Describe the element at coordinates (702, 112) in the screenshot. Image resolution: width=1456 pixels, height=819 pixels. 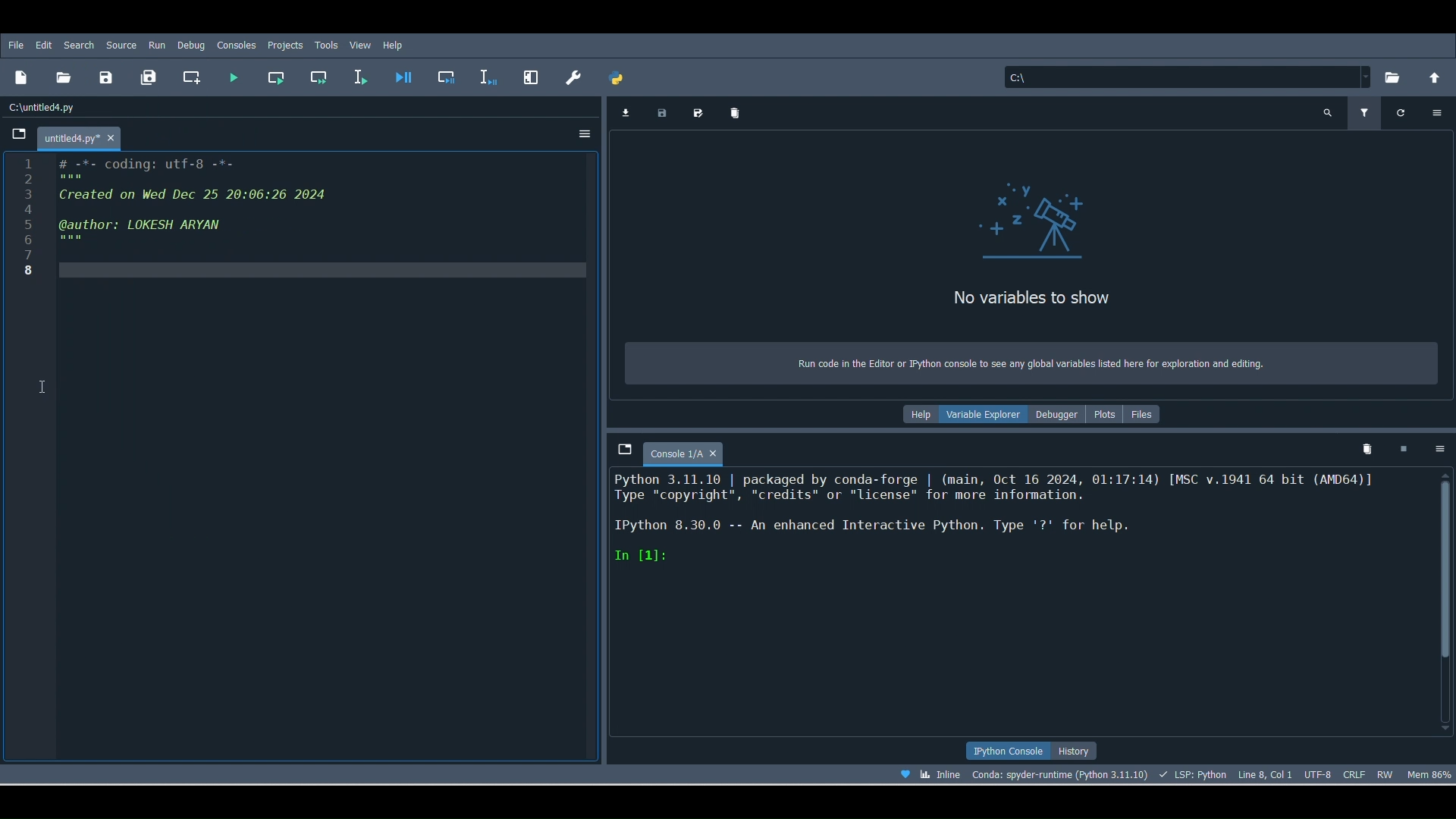
I see `Save data as` at that location.